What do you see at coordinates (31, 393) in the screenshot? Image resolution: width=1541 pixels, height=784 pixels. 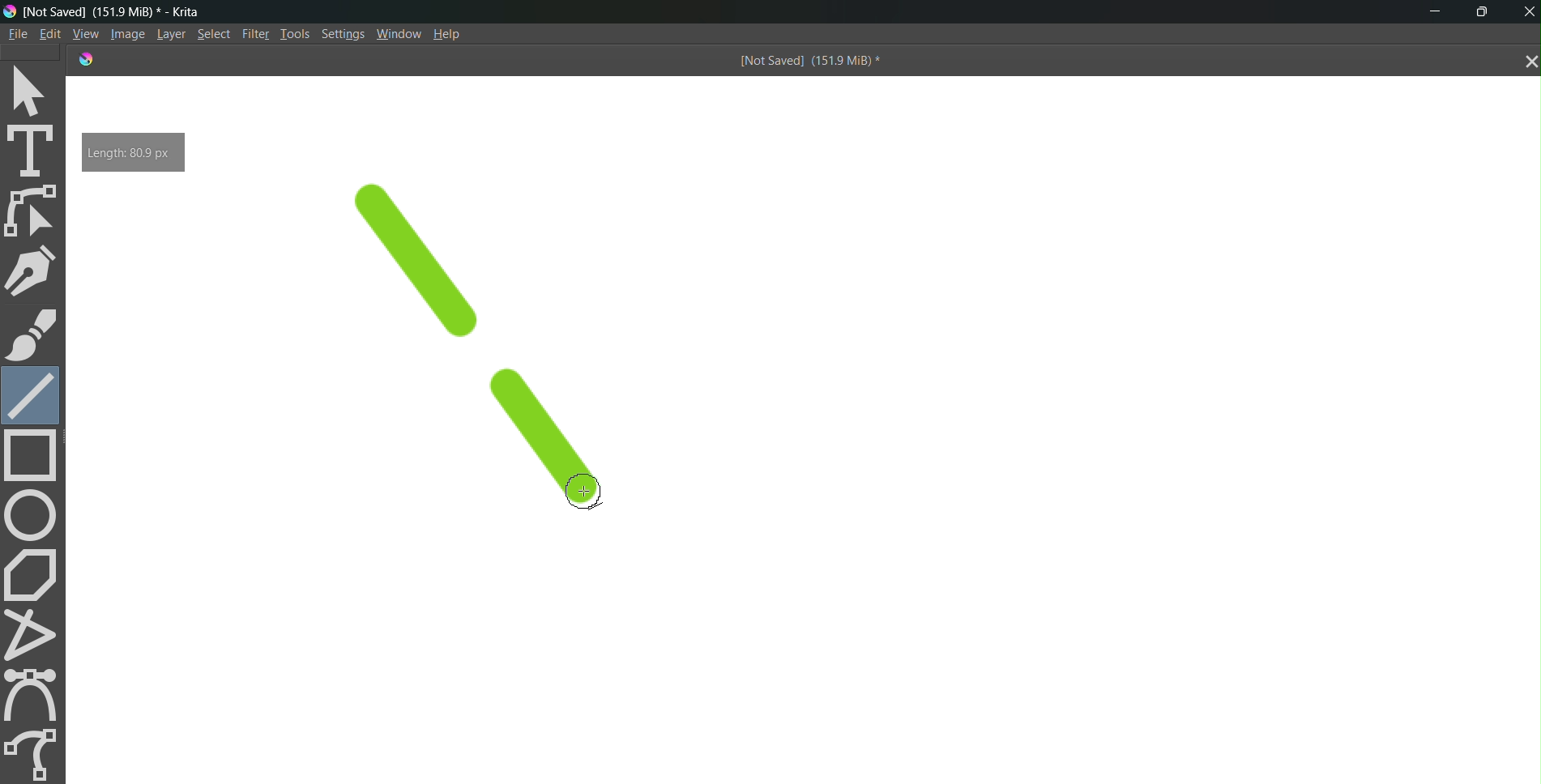 I see `line` at bounding box center [31, 393].